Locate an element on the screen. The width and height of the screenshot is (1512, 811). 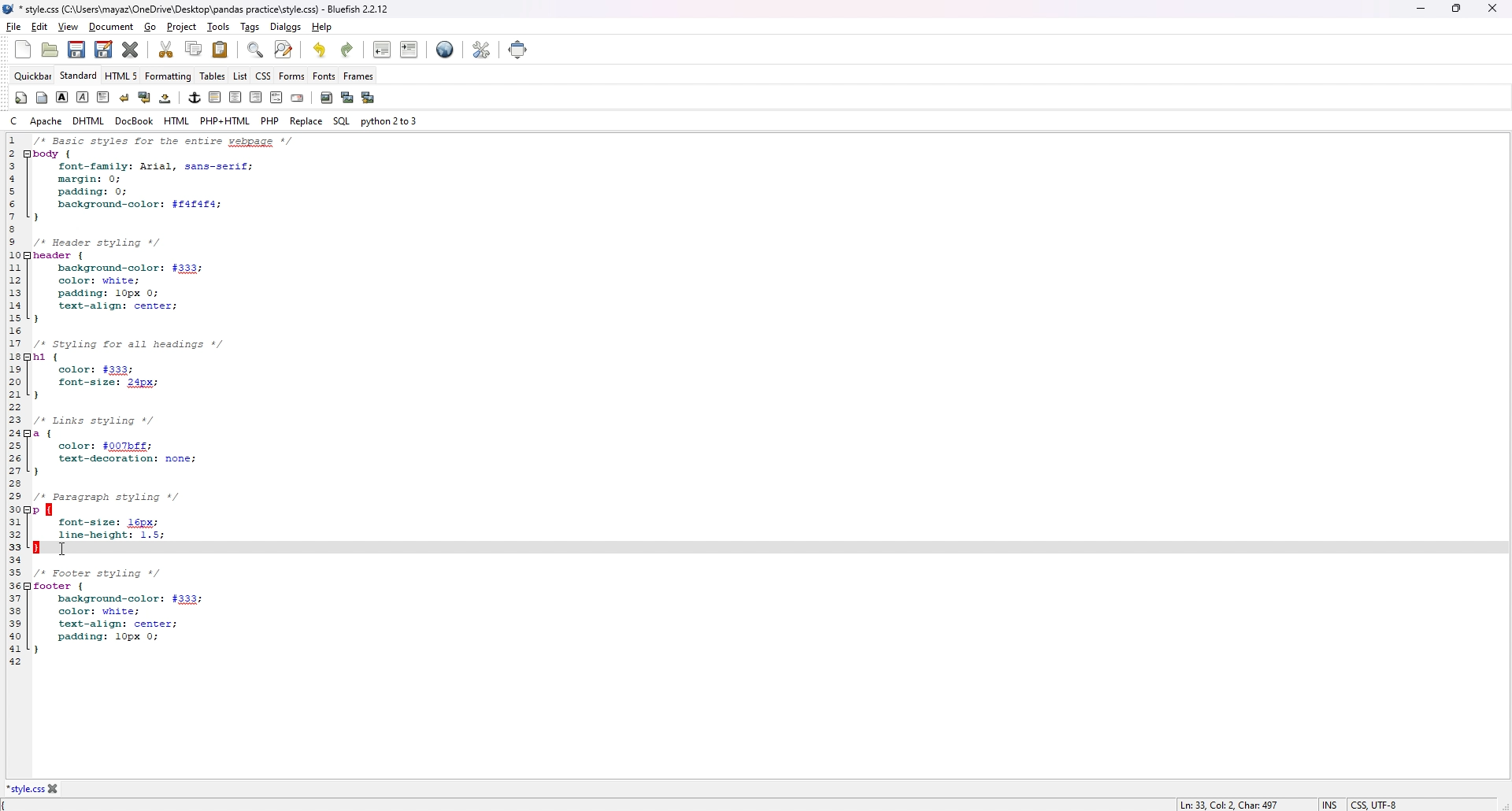
php+html is located at coordinates (225, 120).